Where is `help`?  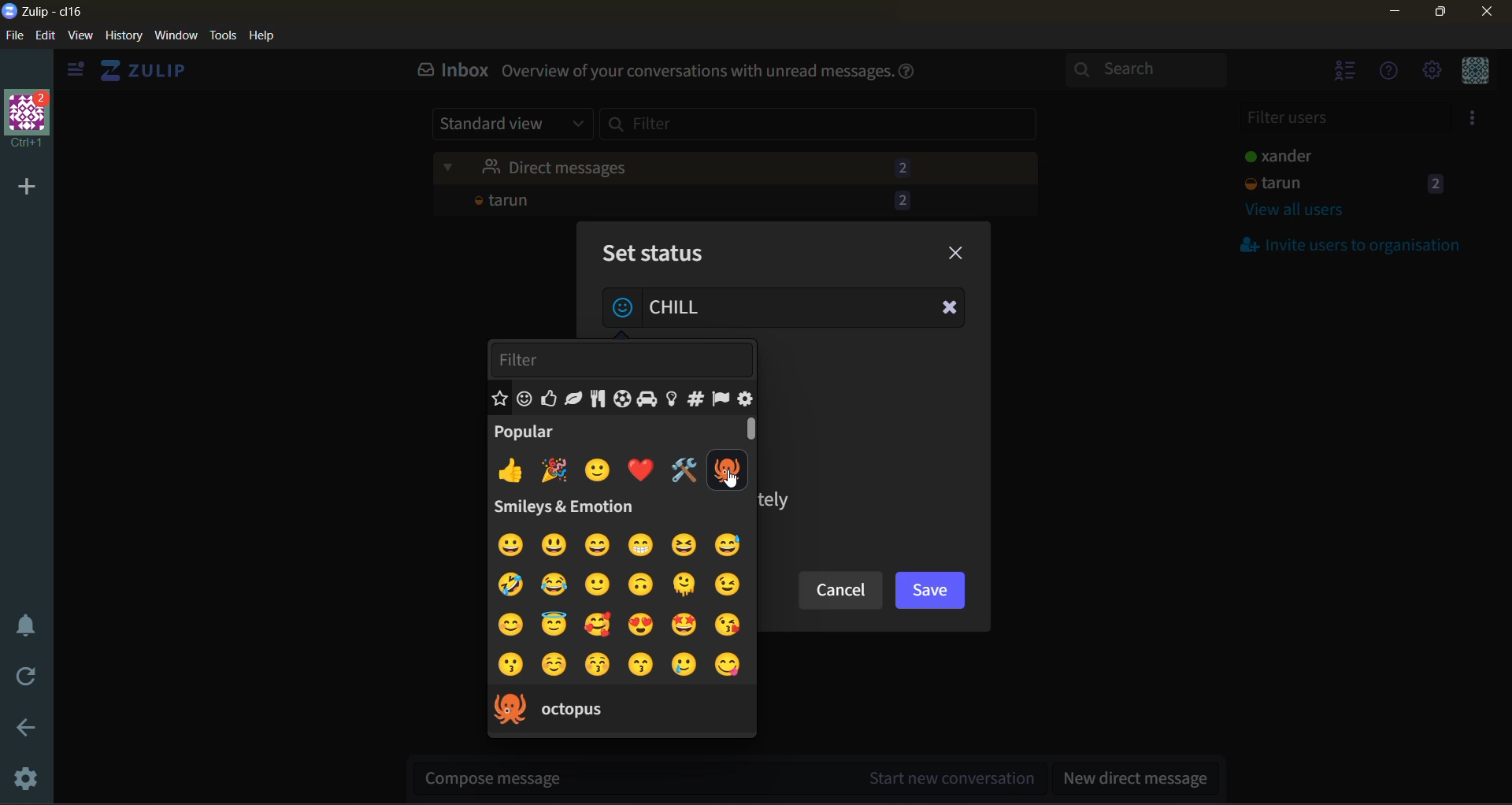
help is located at coordinates (263, 36).